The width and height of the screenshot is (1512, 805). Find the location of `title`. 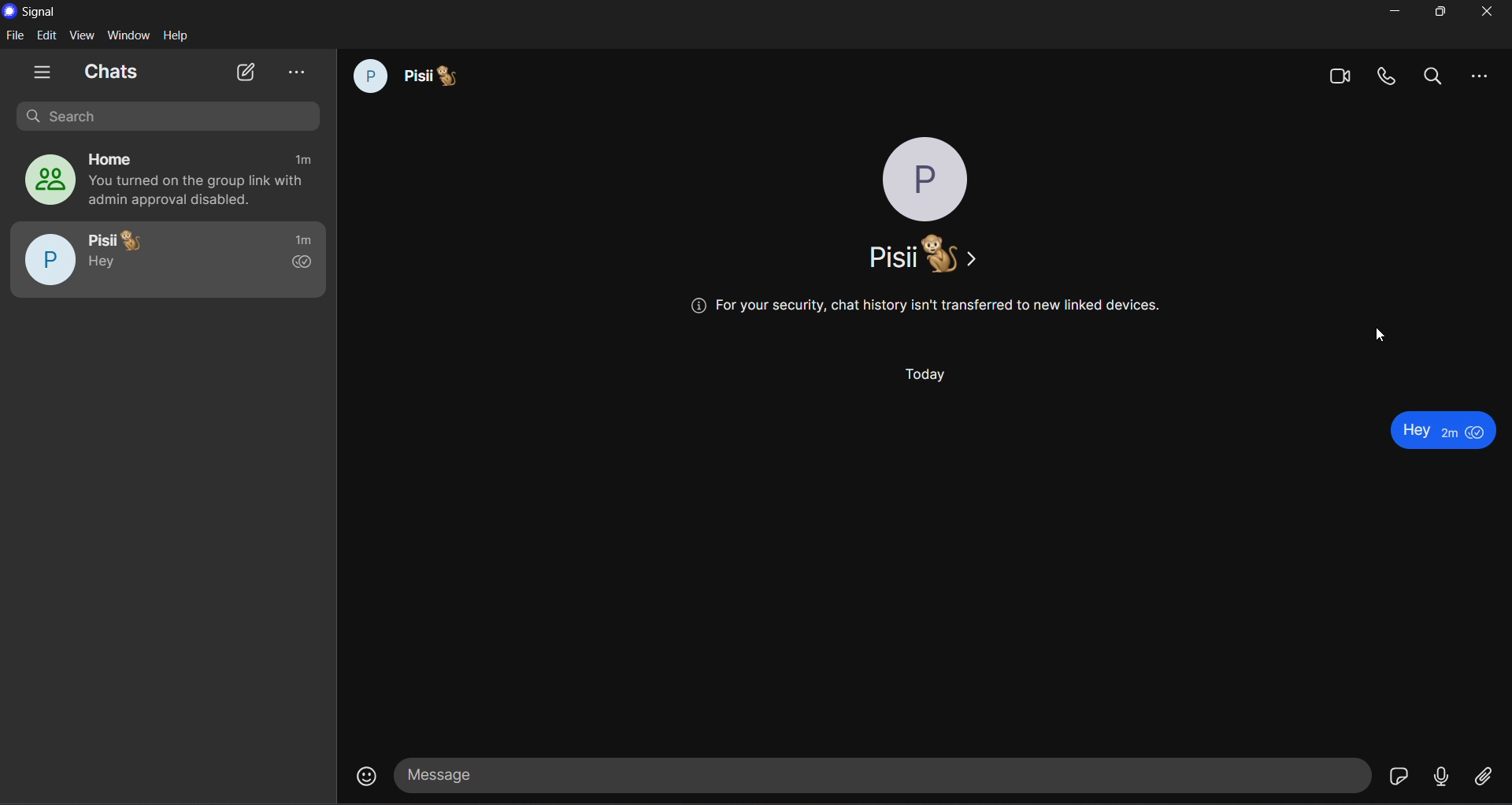

title is located at coordinates (43, 13).